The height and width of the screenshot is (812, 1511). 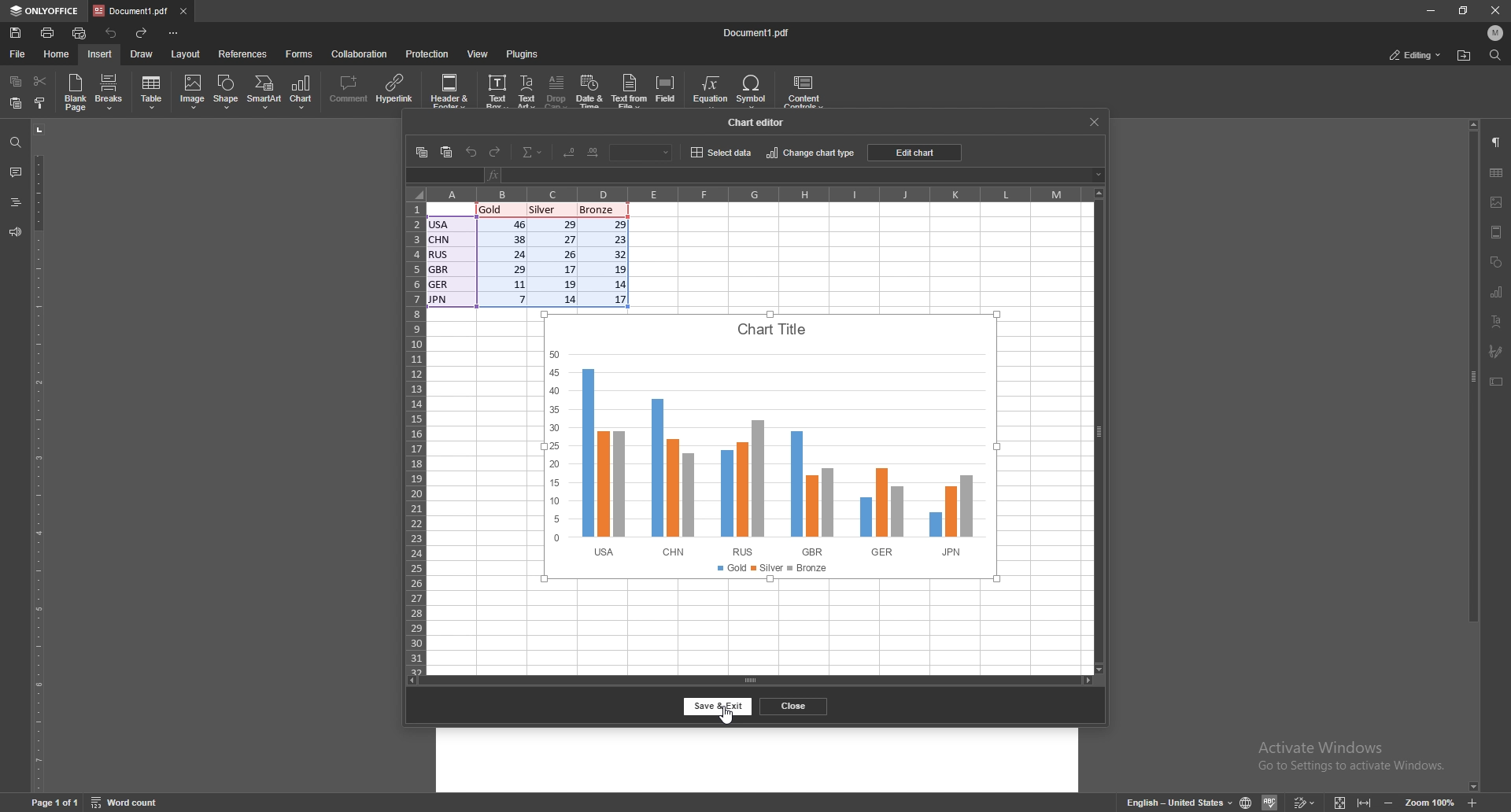 I want to click on Word count, so click(x=124, y=801).